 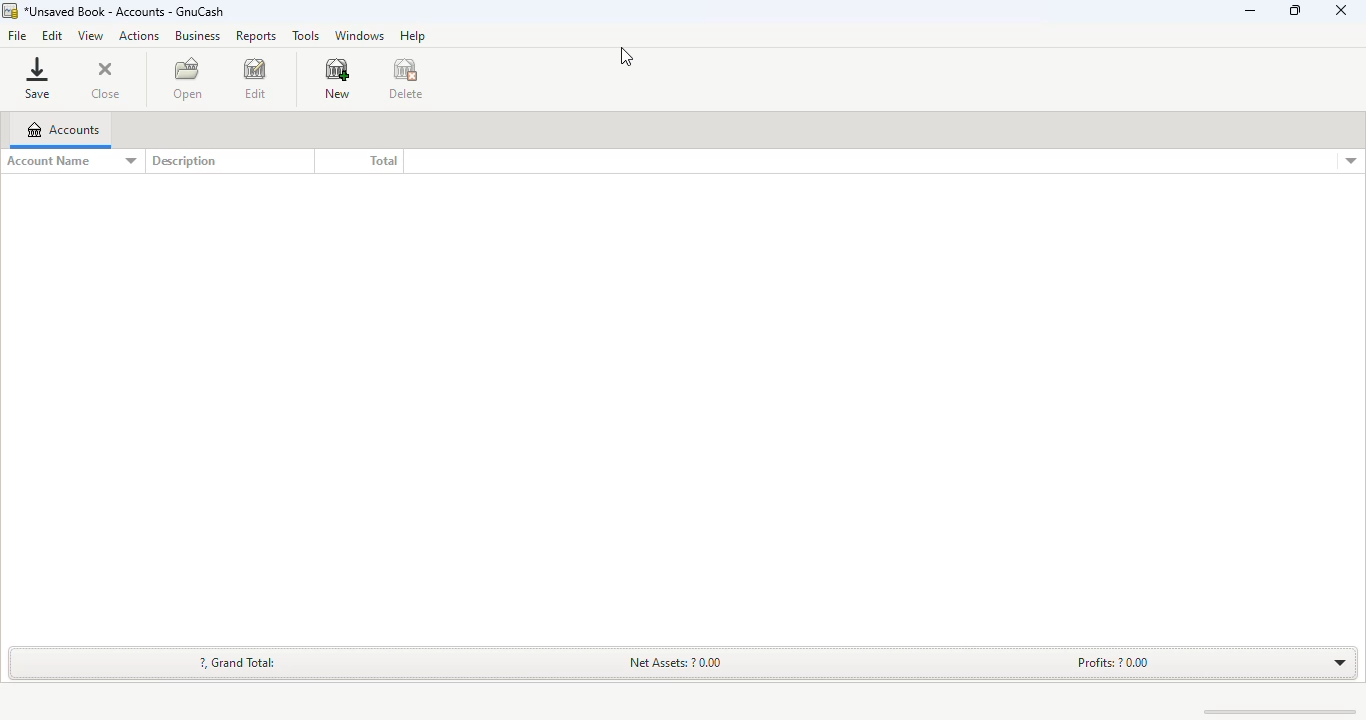 I want to click on close, so click(x=106, y=82).